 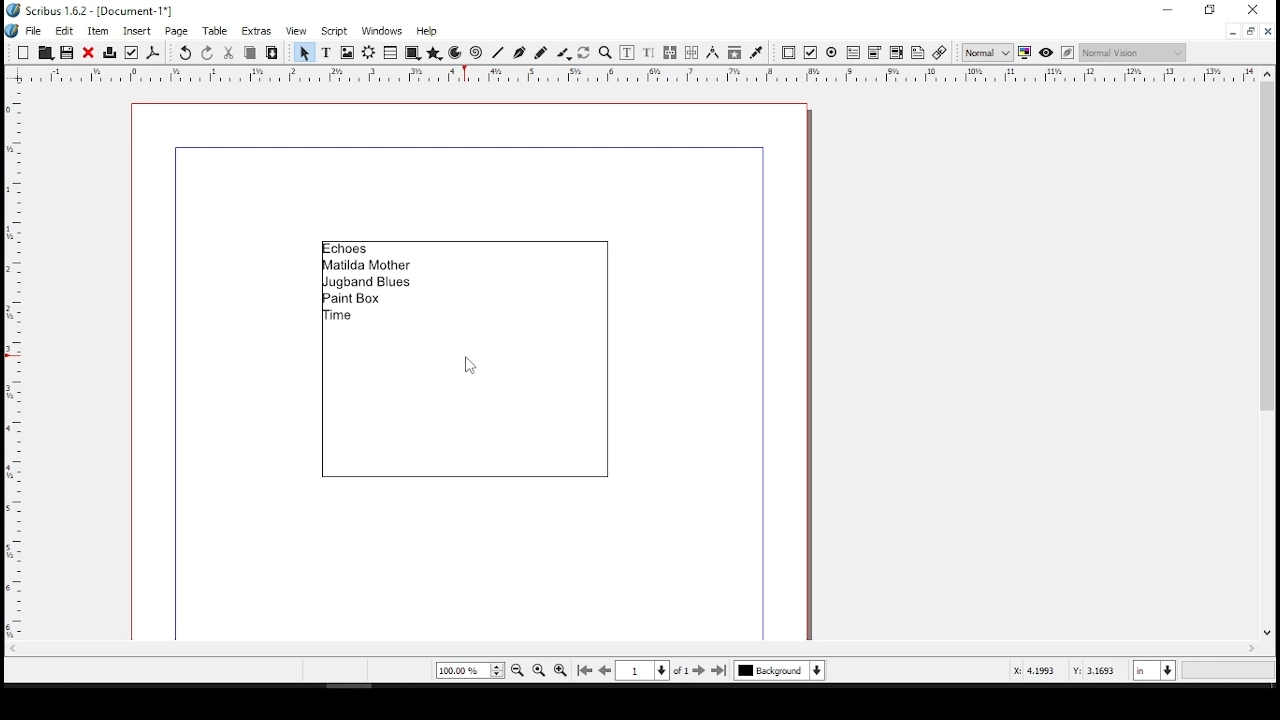 I want to click on windows, so click(x=381, y=31).